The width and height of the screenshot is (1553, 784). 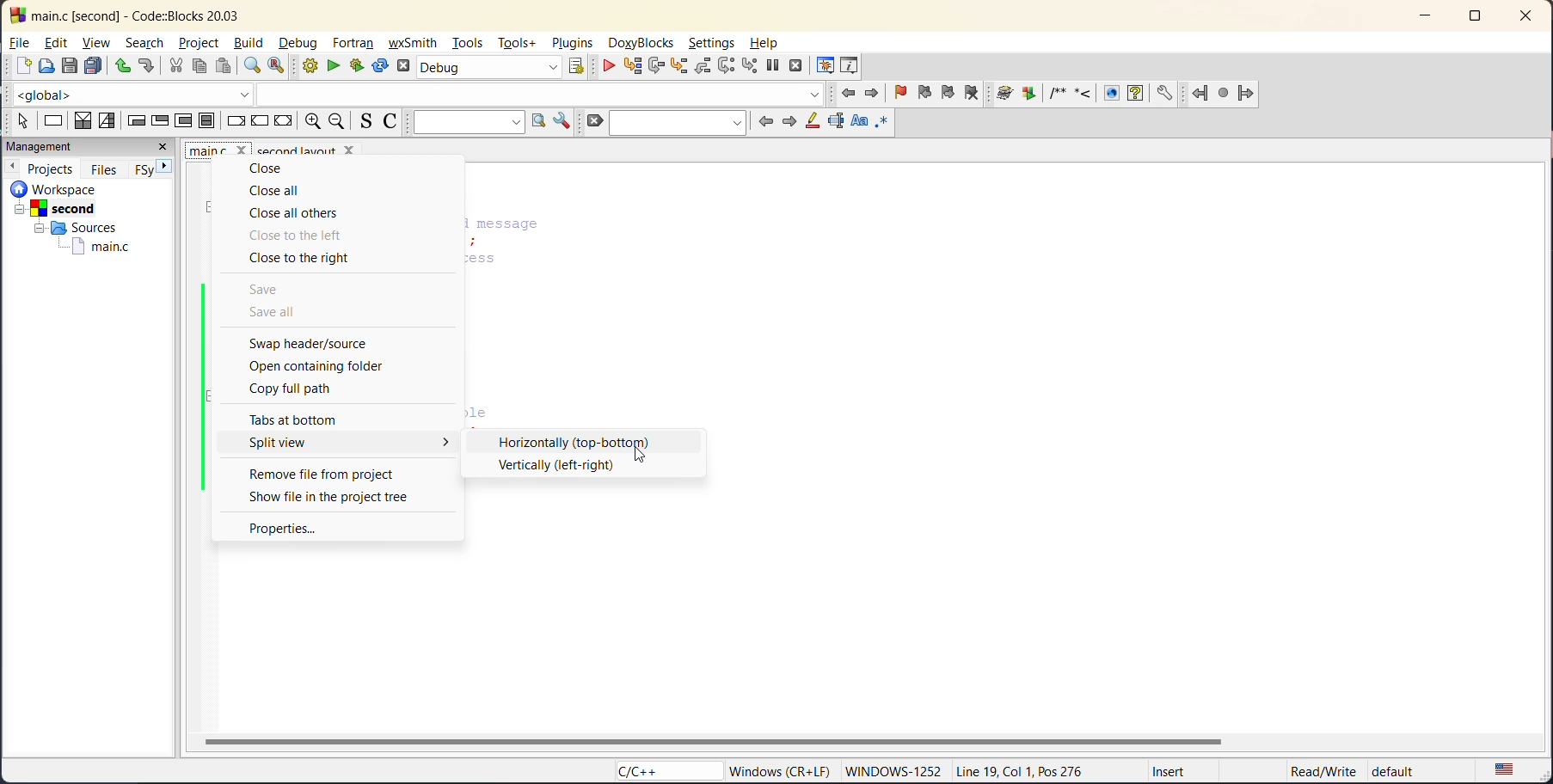 I want to click on management, so click(x=40, y=147).